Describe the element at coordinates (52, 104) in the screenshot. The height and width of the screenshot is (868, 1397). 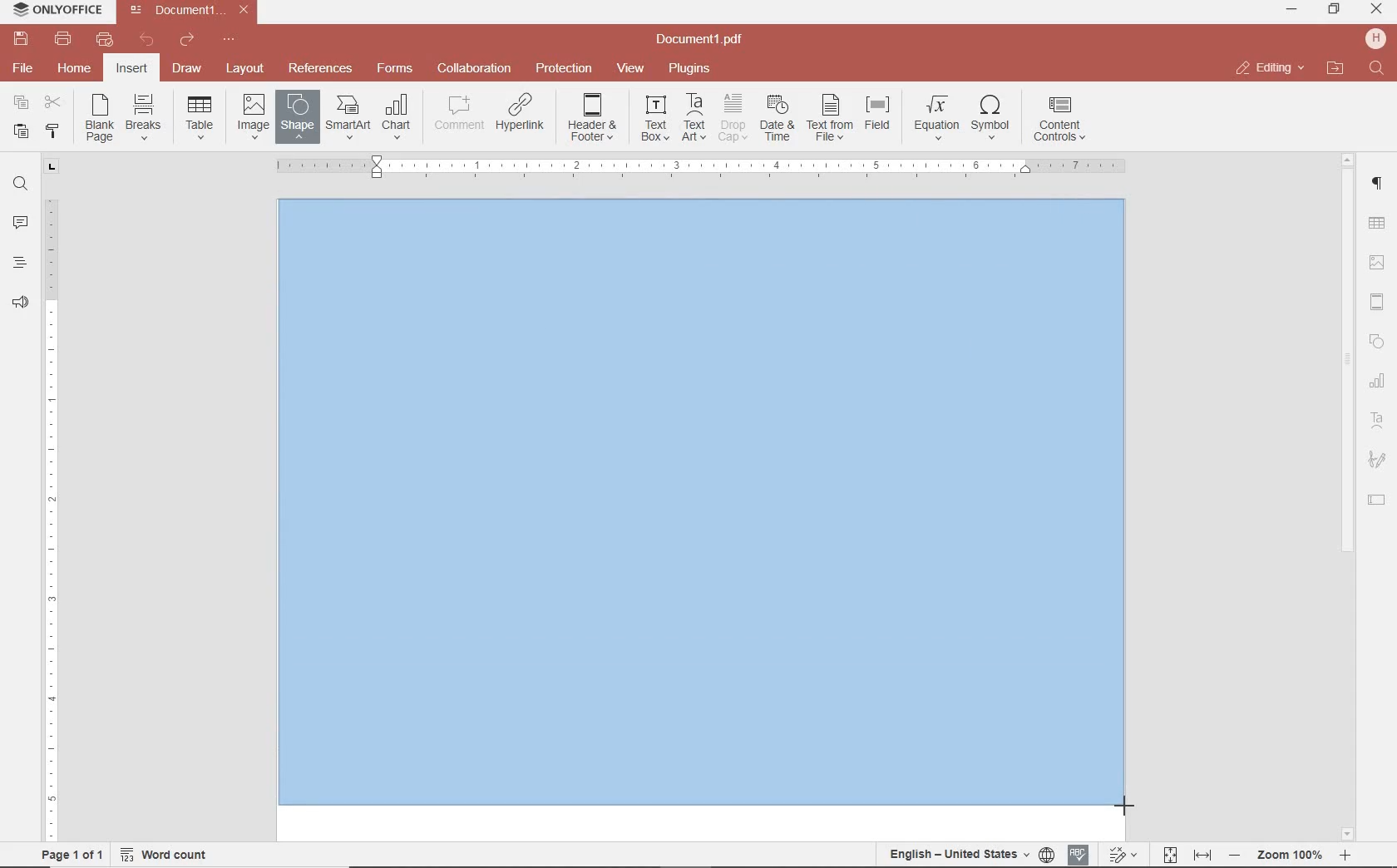
I see `cut` at that location.